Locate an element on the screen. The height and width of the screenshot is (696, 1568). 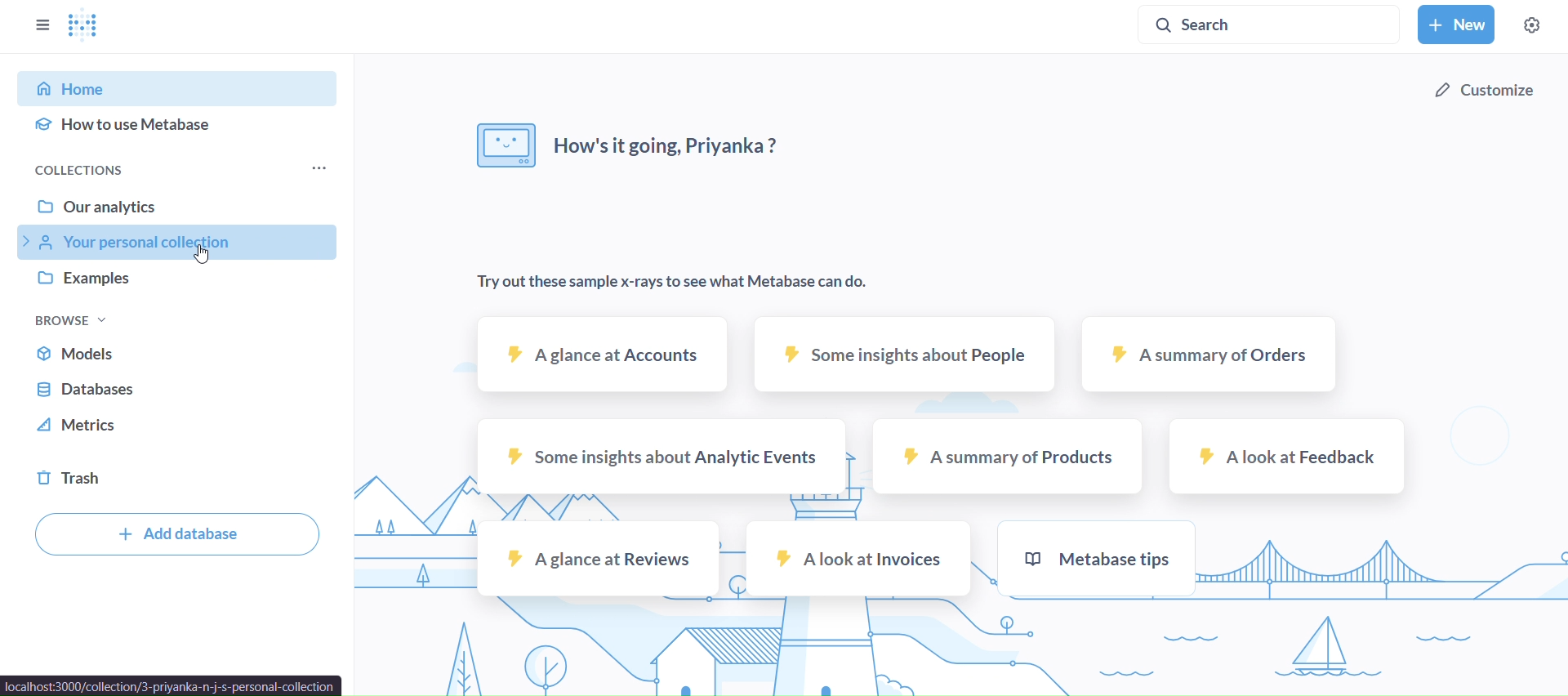
database is located at coordinates (184, 388).